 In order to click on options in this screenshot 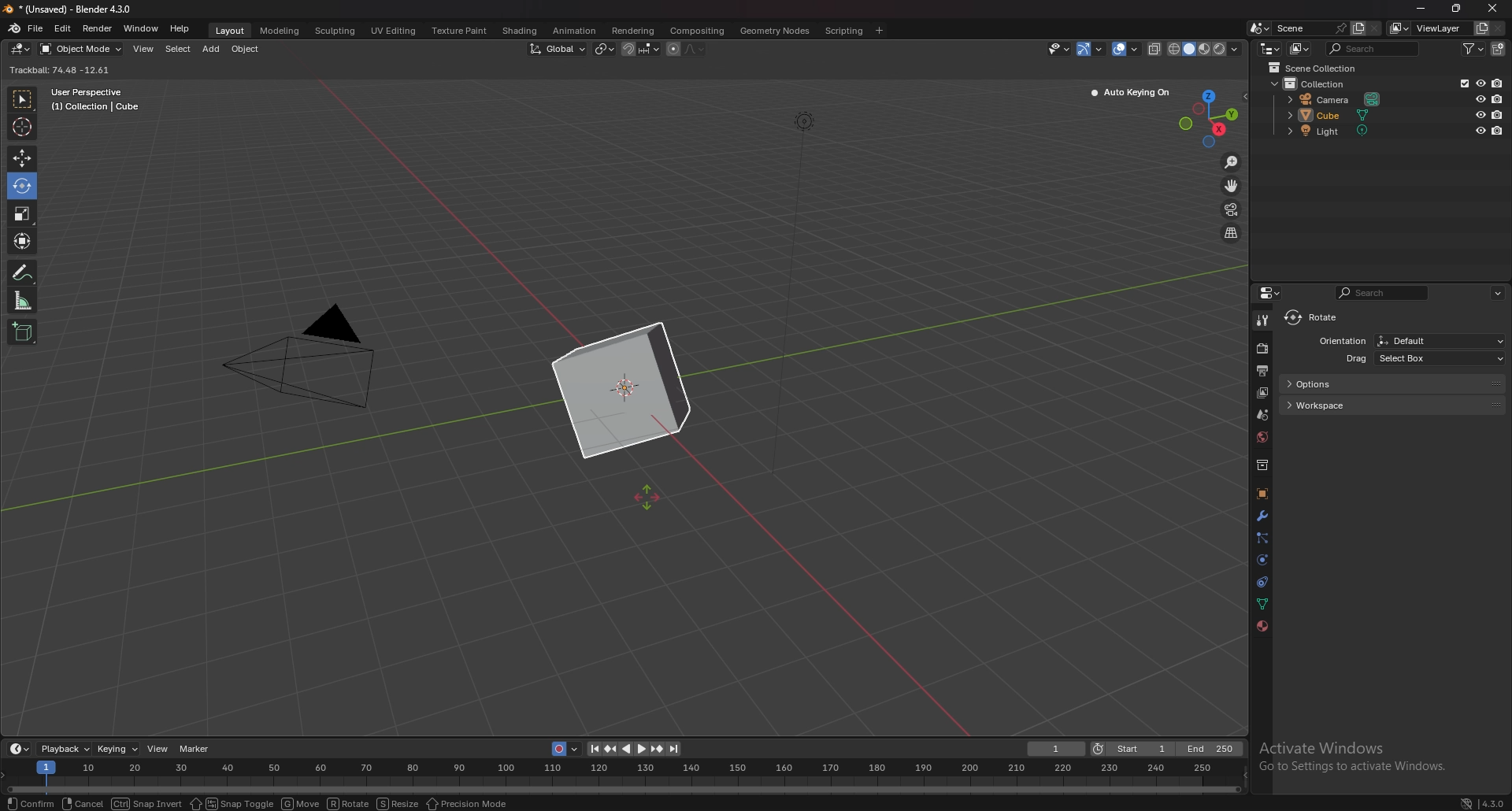, I will do `click(1499, 293)`.